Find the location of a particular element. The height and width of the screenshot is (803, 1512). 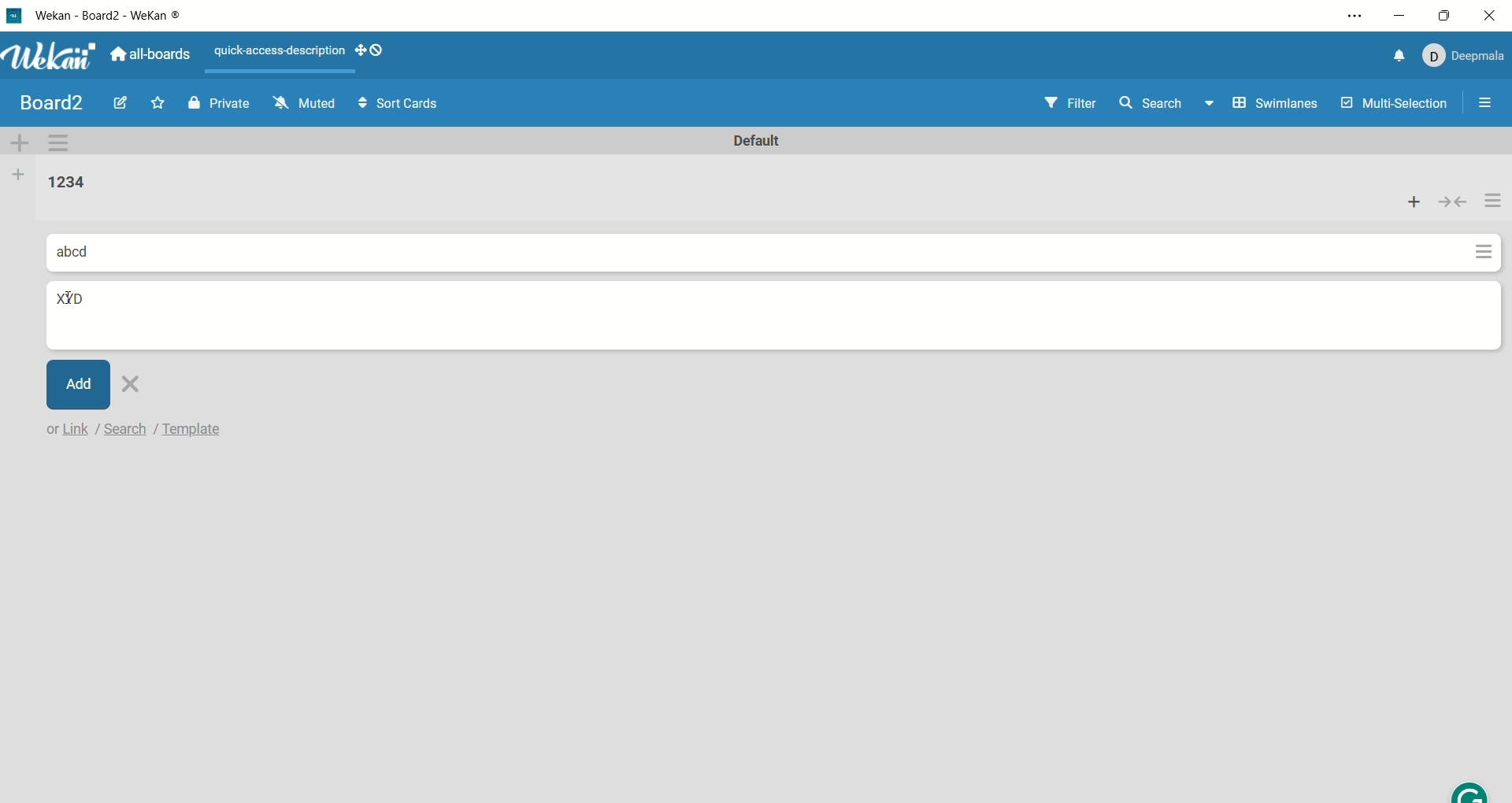

add is located at coordinates (1417, 202).